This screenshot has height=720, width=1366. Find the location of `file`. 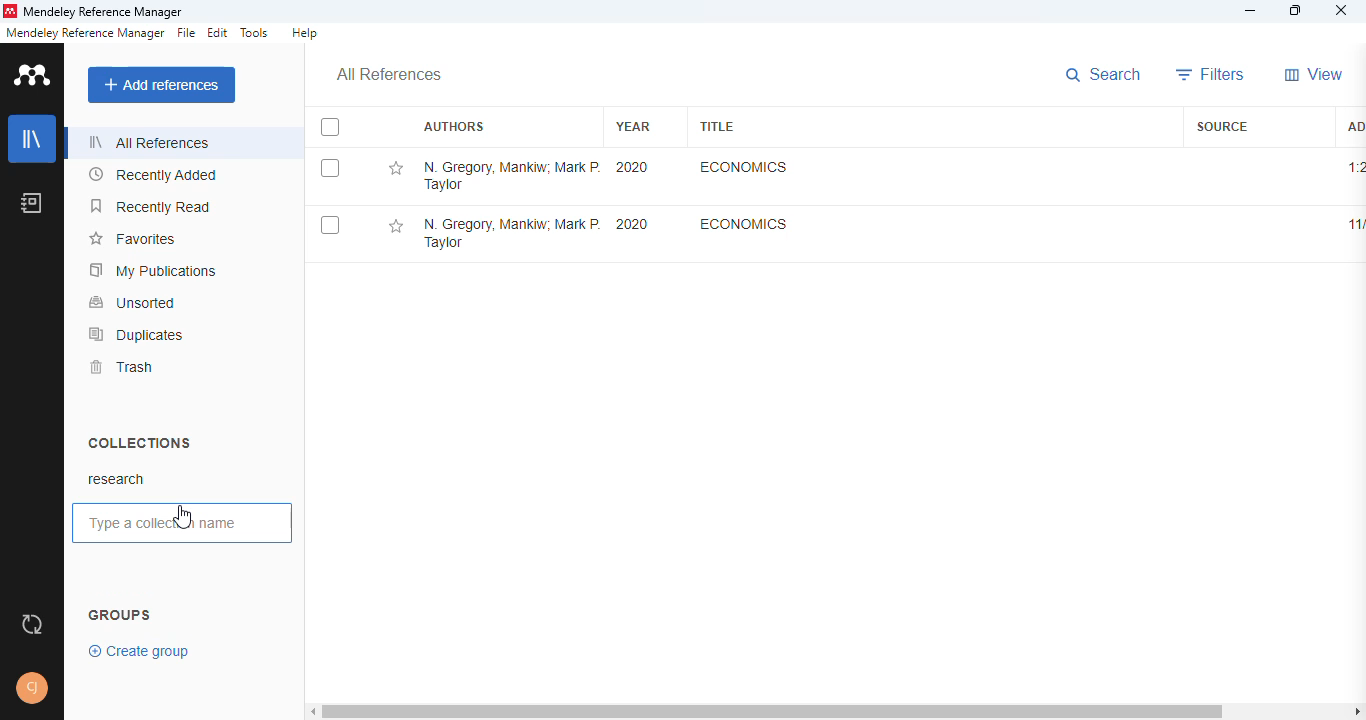

file is located at coordinates (186, 33).